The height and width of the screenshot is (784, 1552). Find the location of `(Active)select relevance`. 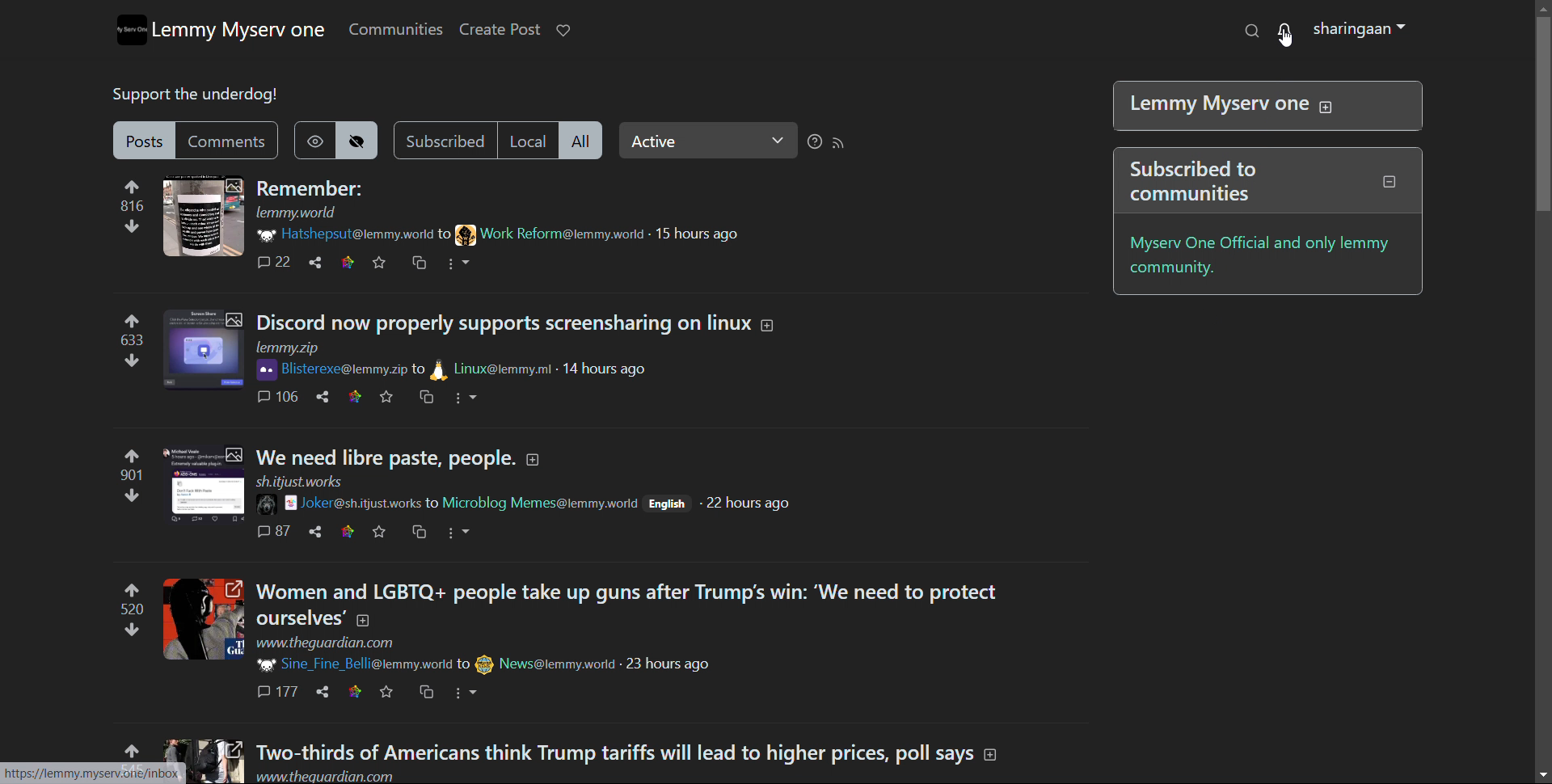

(Active)select relevance is located at coordinates (708, 141).